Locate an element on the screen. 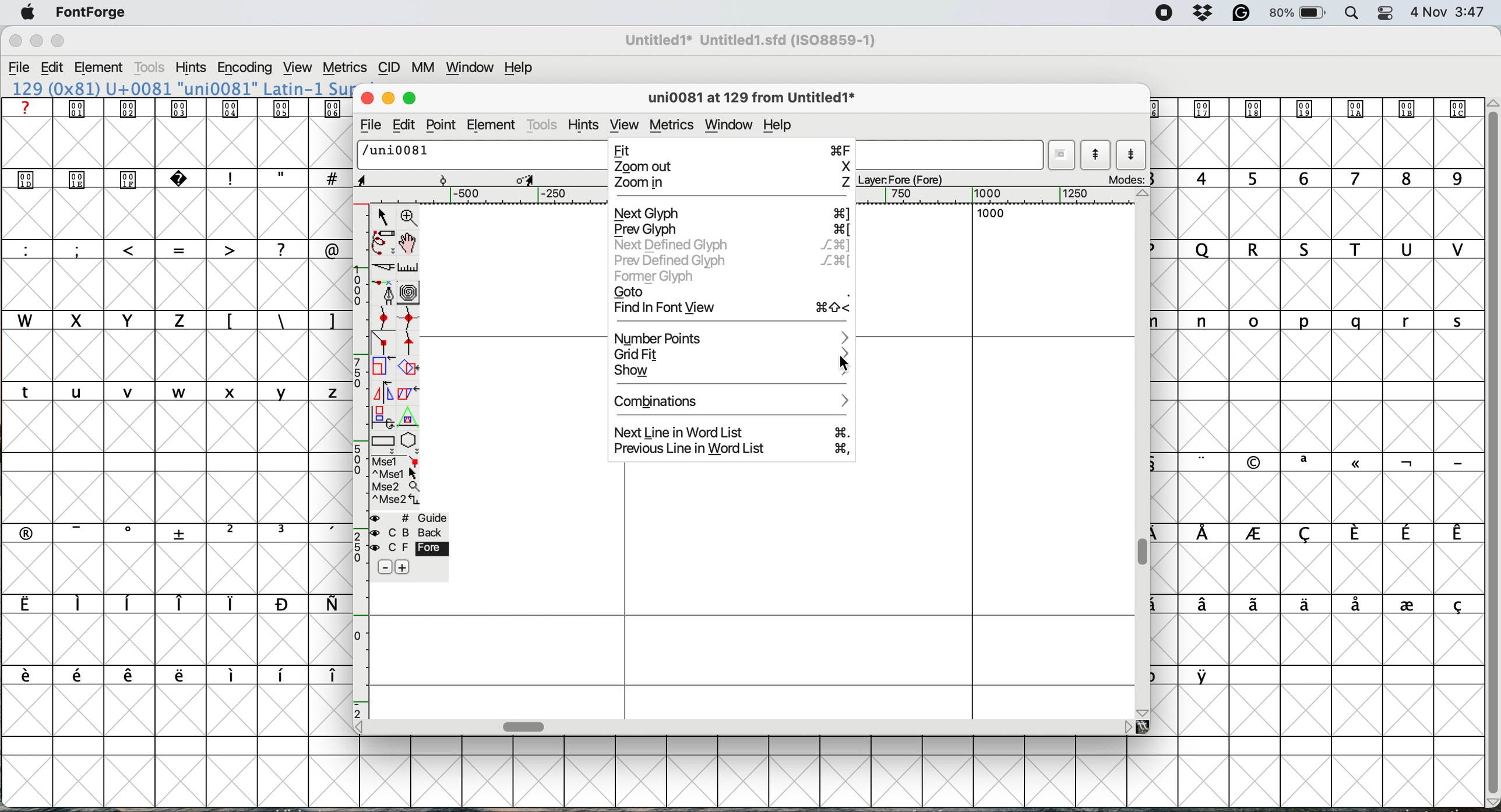 Image resolution: width=1501 pixels, height=812 pixels. horizontal scroll bar is located at coordinates (527, 726).